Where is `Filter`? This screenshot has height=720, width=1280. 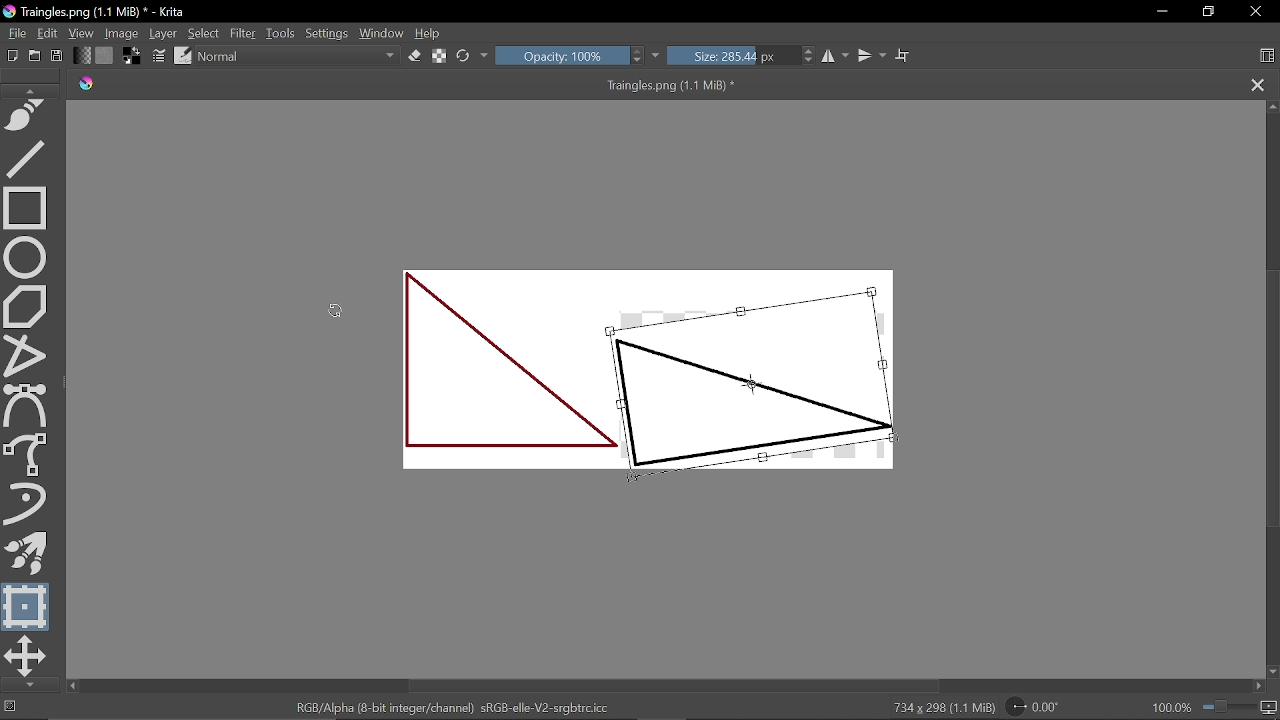 Filter is located at coordinates (242, 33).